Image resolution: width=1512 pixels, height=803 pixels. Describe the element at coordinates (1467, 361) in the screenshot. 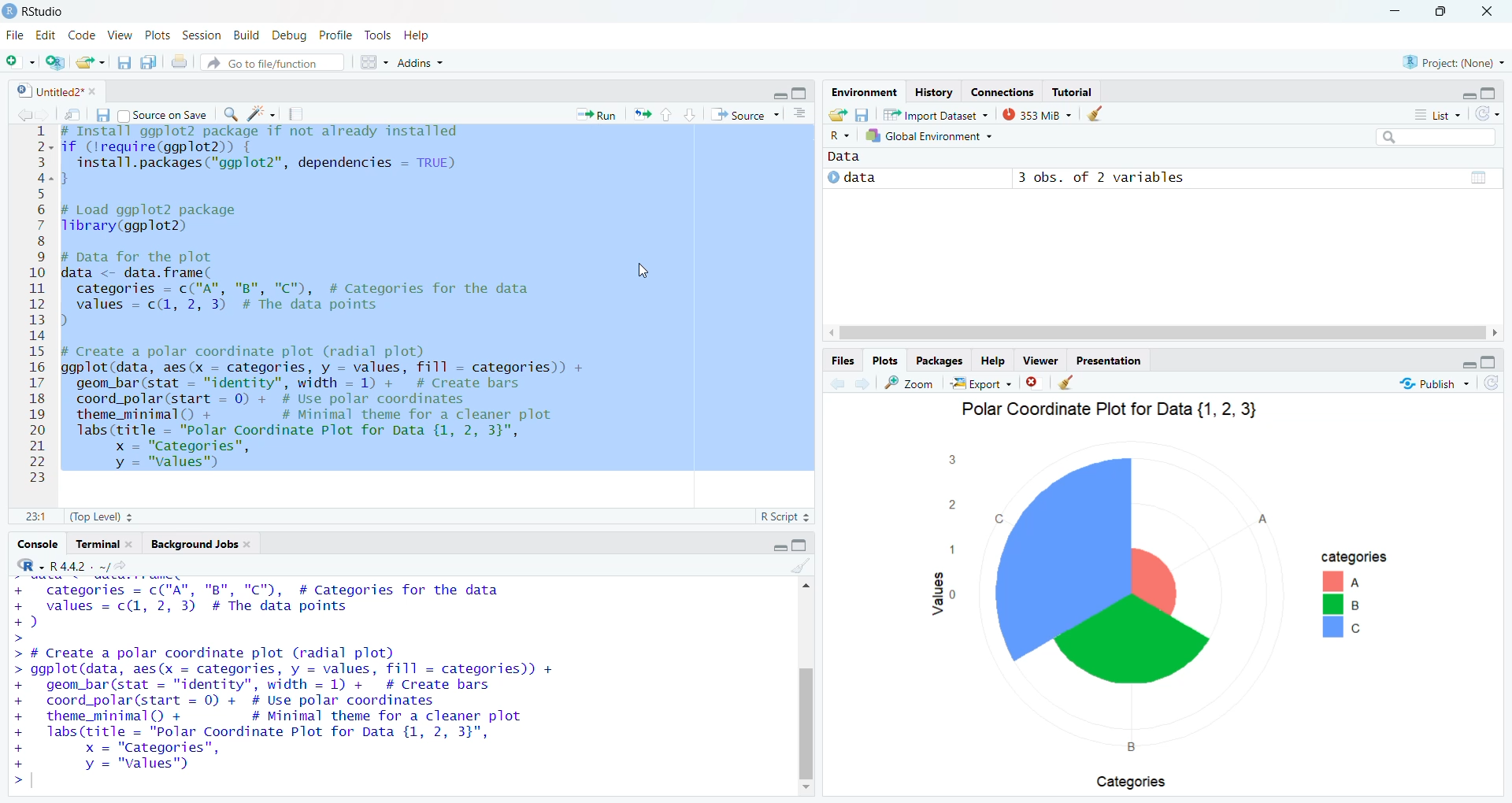

I see `hide r script` at that location.